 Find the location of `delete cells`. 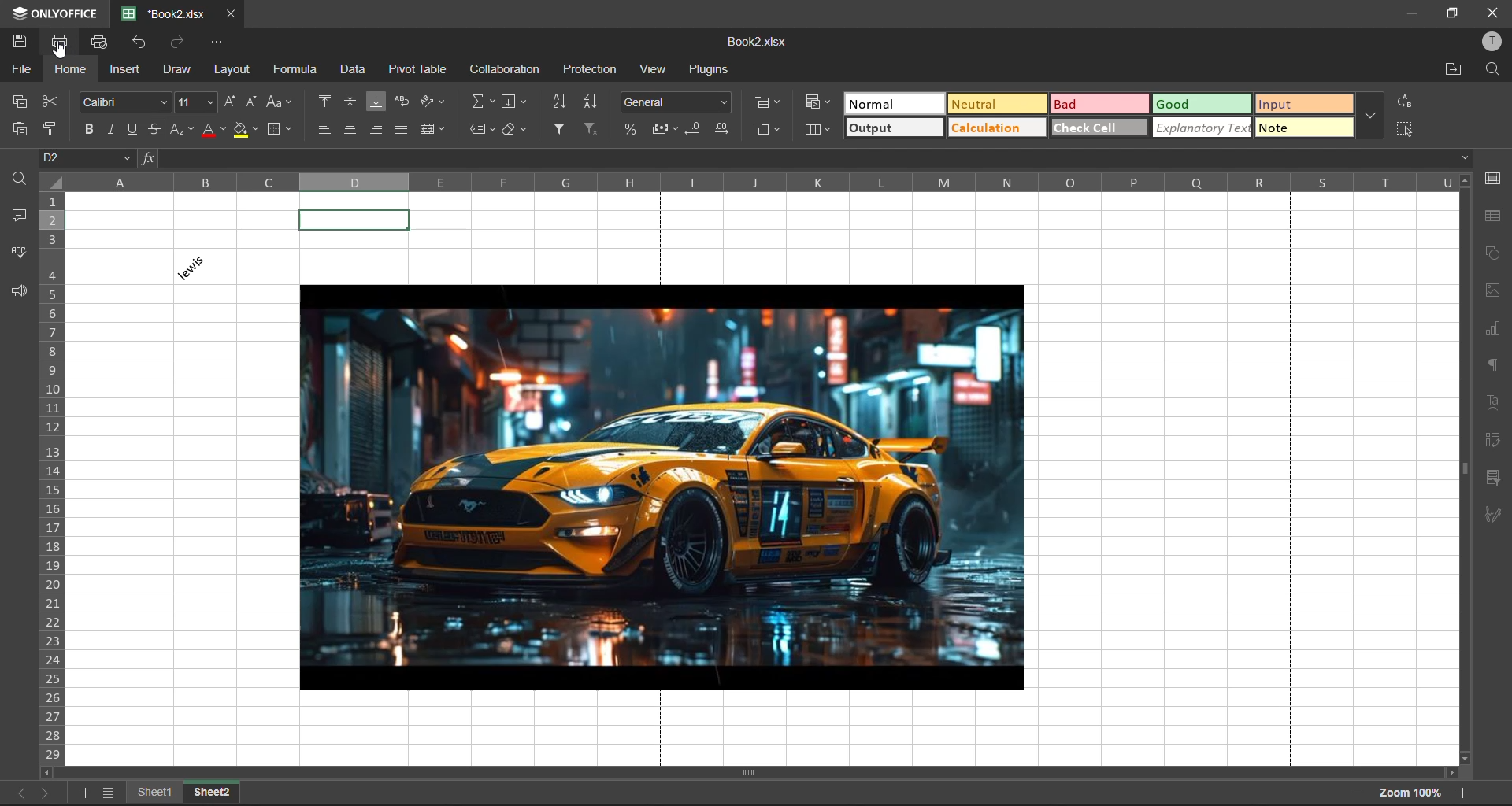

delete cells is located at coordinates (768, 131).